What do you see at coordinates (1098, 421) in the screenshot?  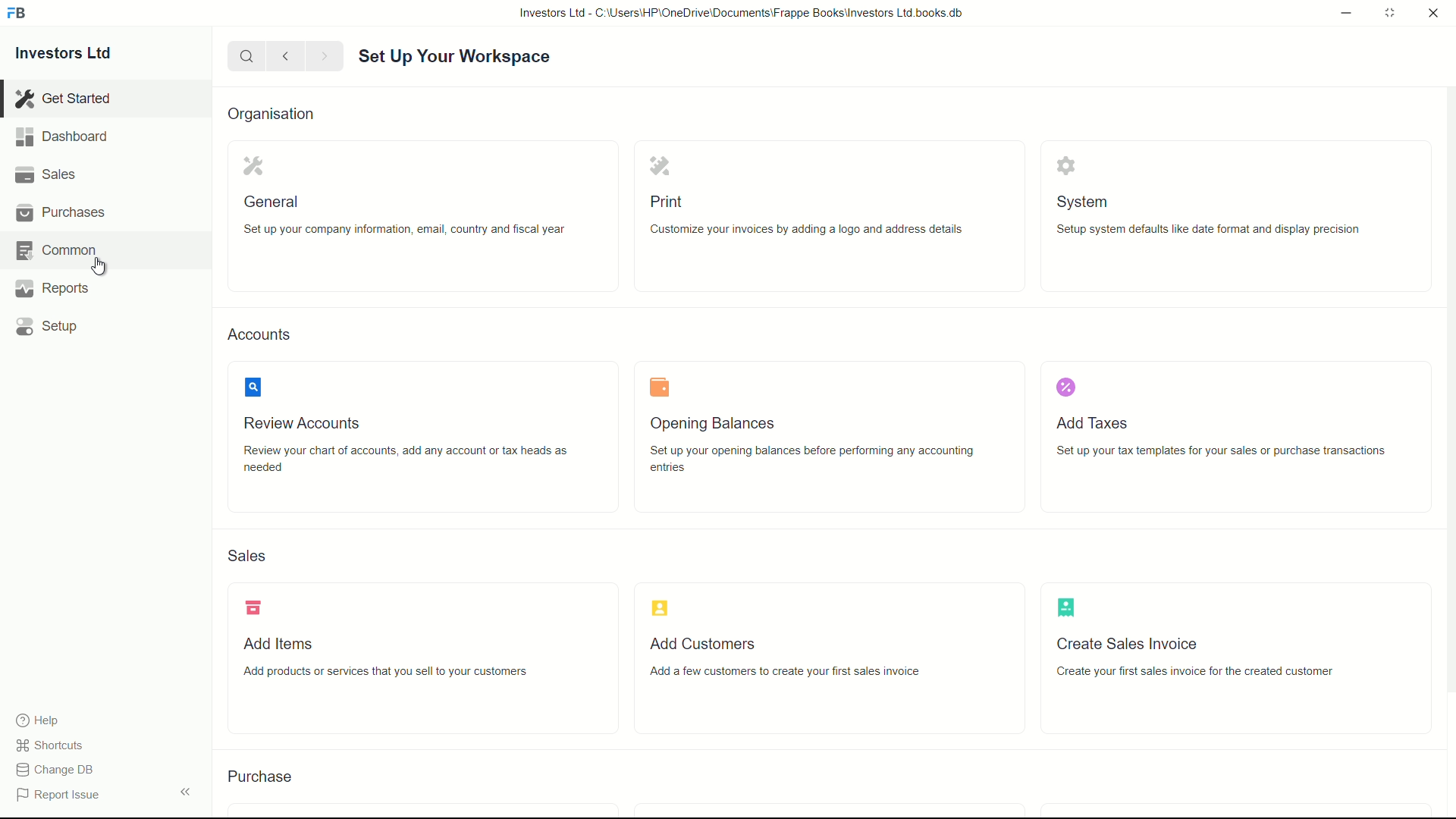 I see `Add Taxes` at bounding box center [1098, 421].